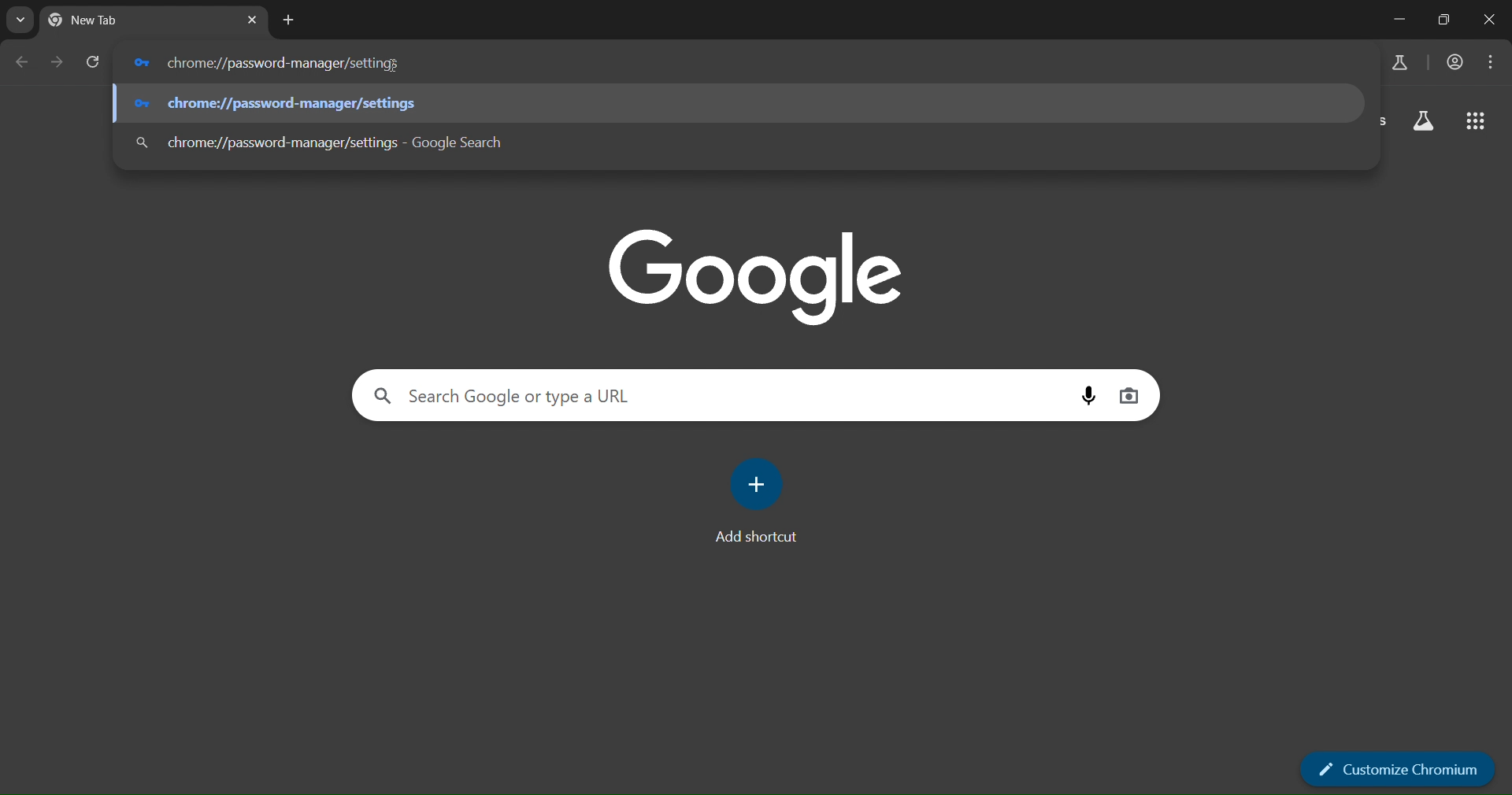 Image resolution: width=1512 pixels, height=795 pixels. Describe the element at coordinates (93, 62) in the screenshot. I see `reload page` at that location.